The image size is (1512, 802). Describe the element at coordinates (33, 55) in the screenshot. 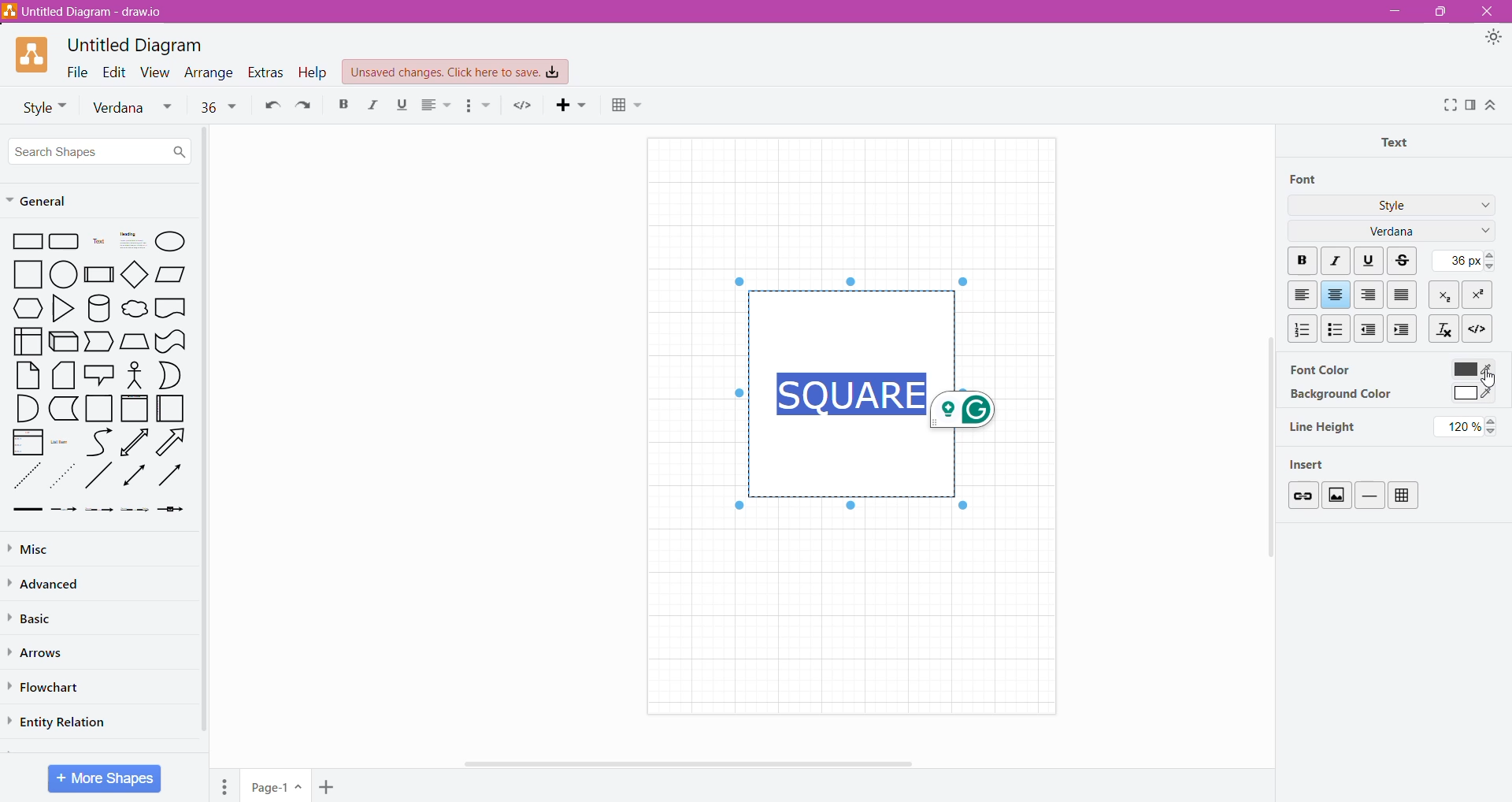

I see `Application Logo` at that location.